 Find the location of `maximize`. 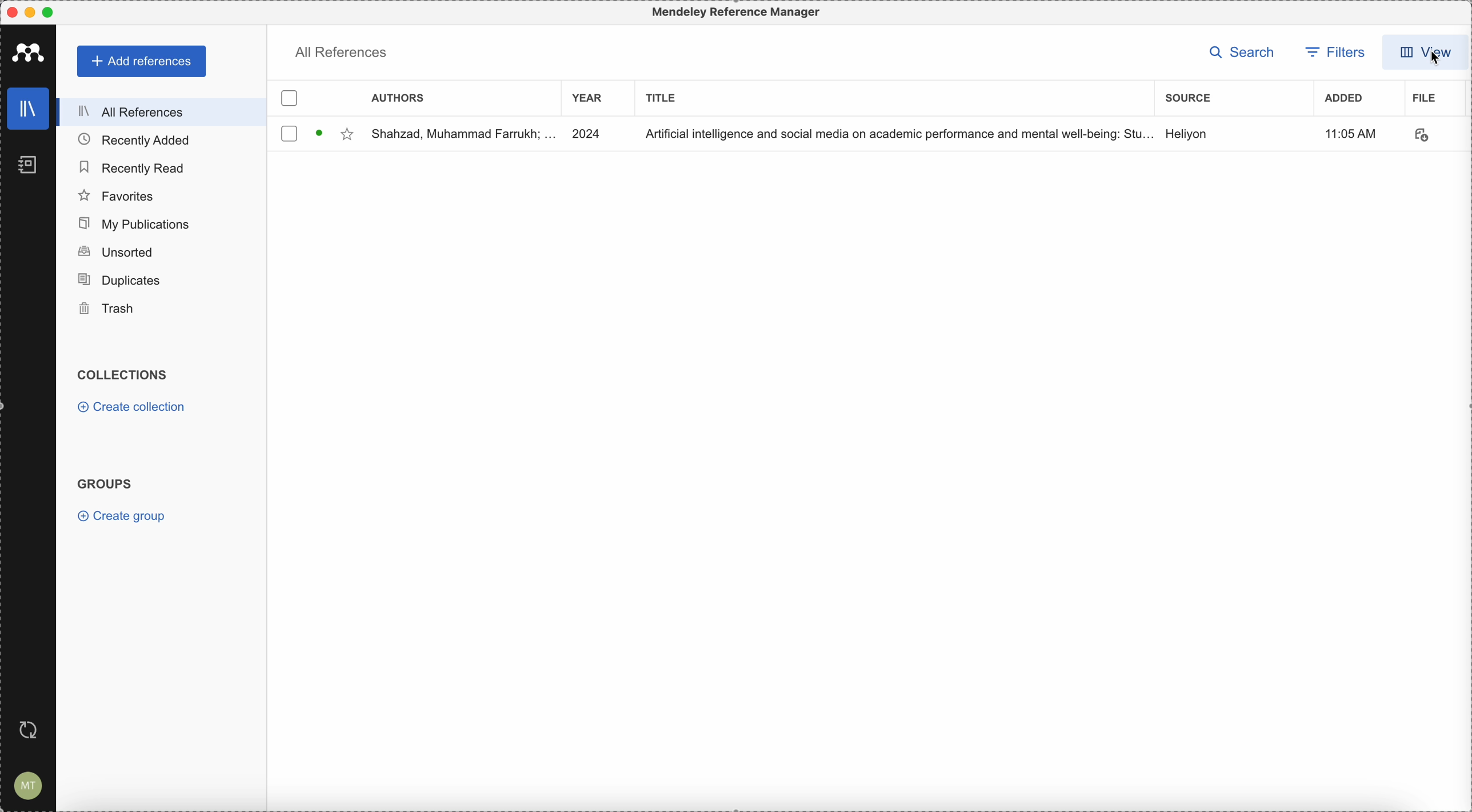

maximize is located at coordinates (49, 12).